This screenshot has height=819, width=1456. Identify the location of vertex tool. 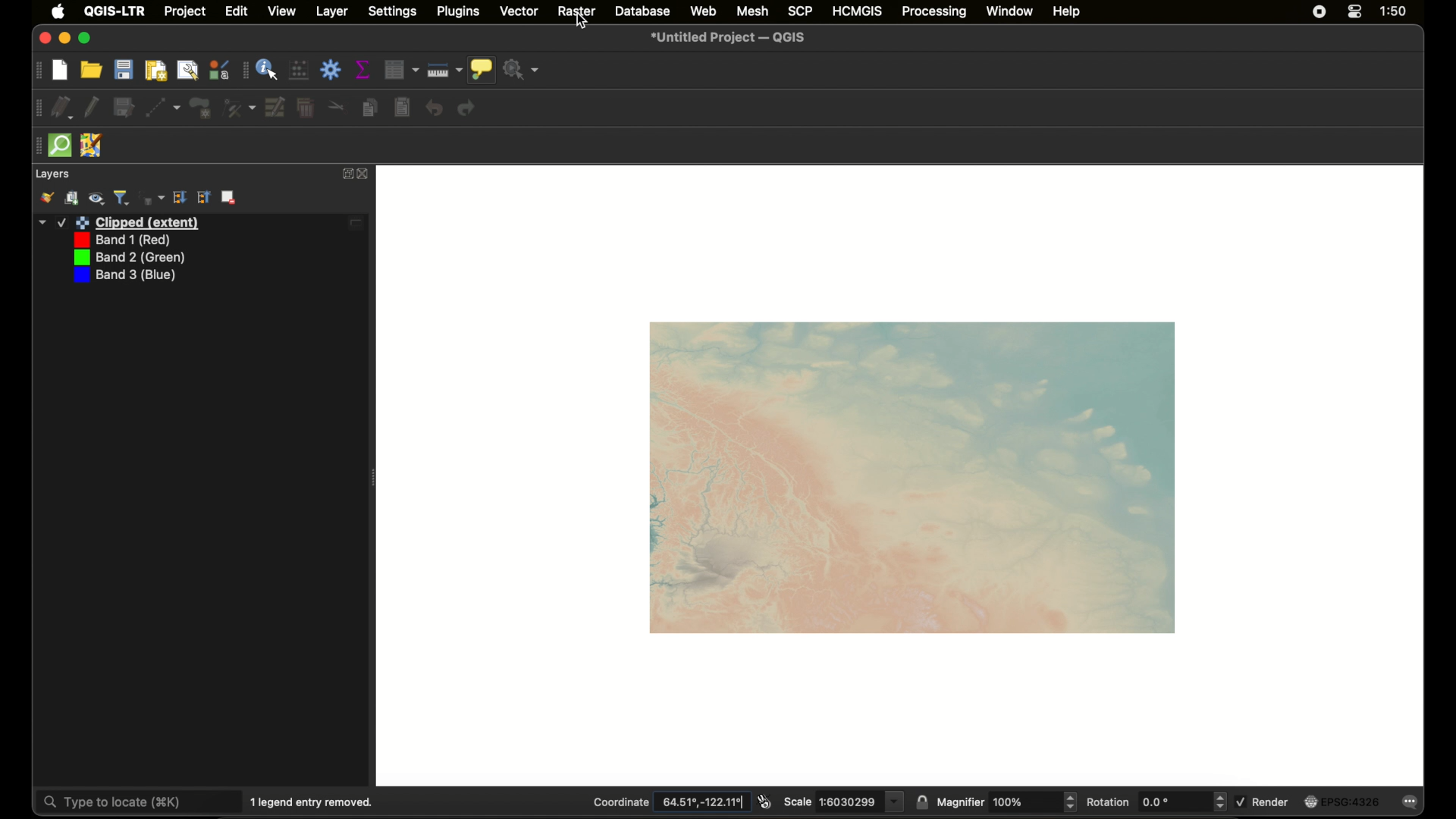
(238, 108).